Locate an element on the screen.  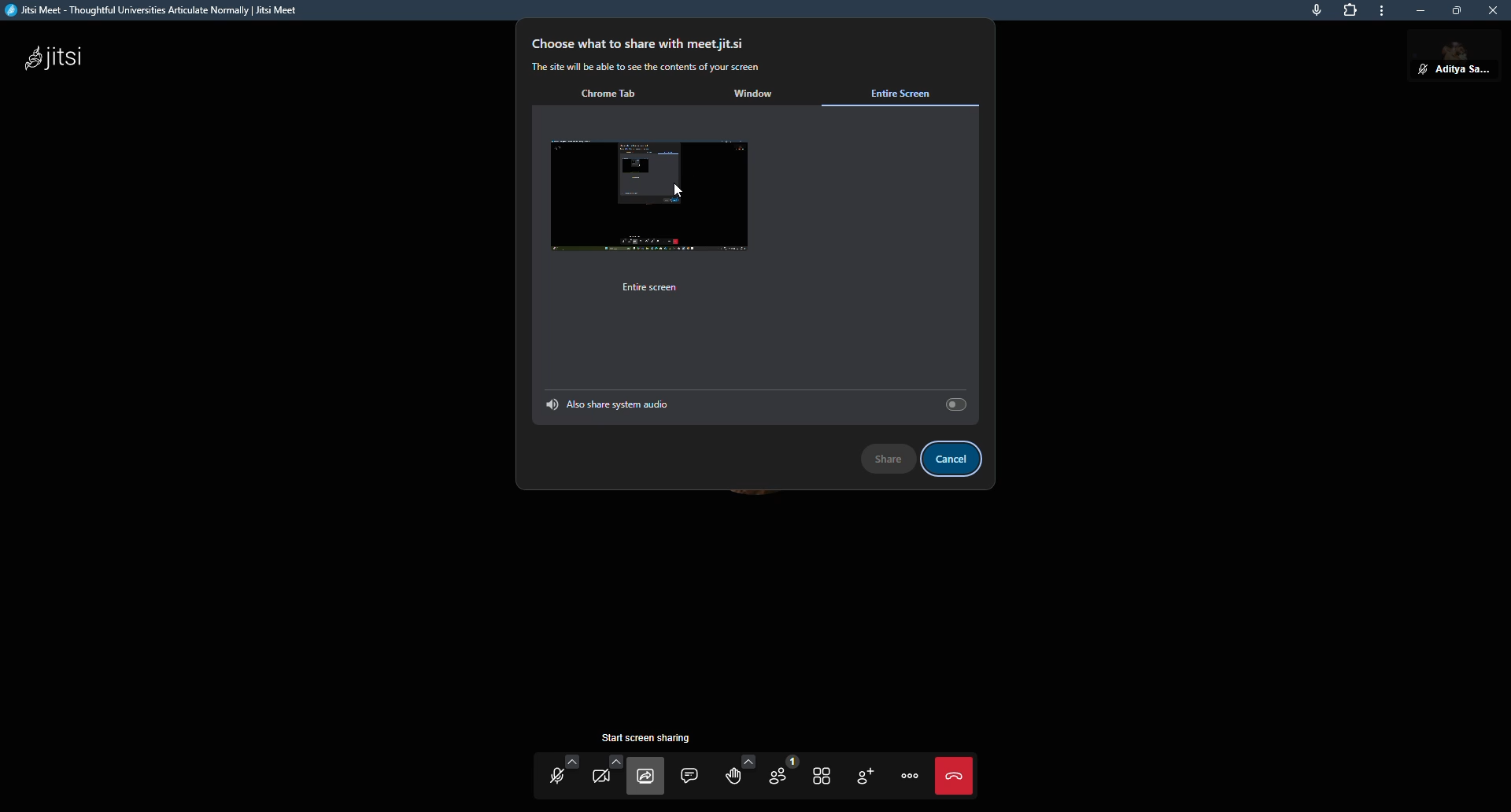
share is located at coordinates (887, 456).